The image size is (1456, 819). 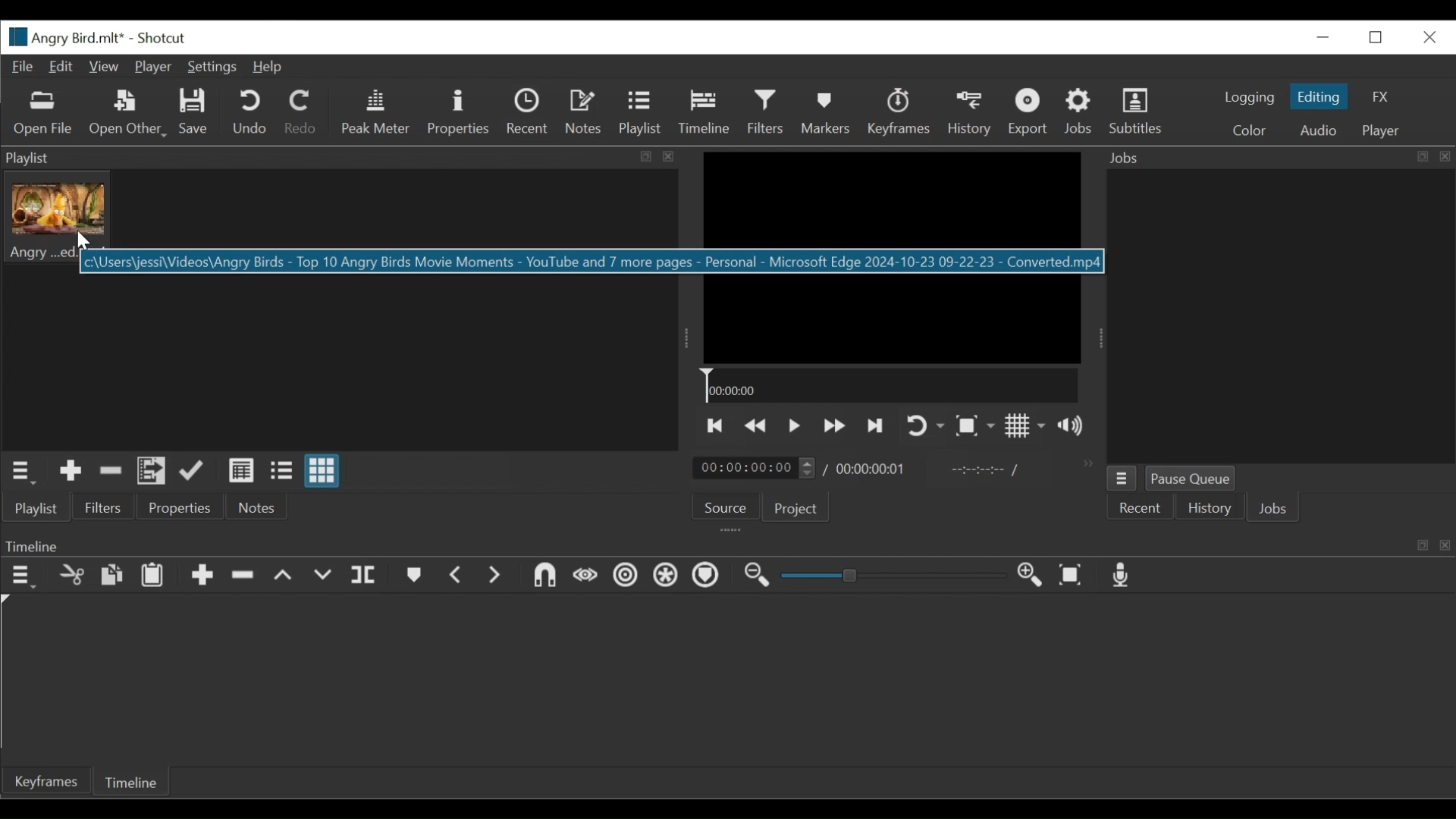 I want to click on Keyframes, so click(x=900, y=112).